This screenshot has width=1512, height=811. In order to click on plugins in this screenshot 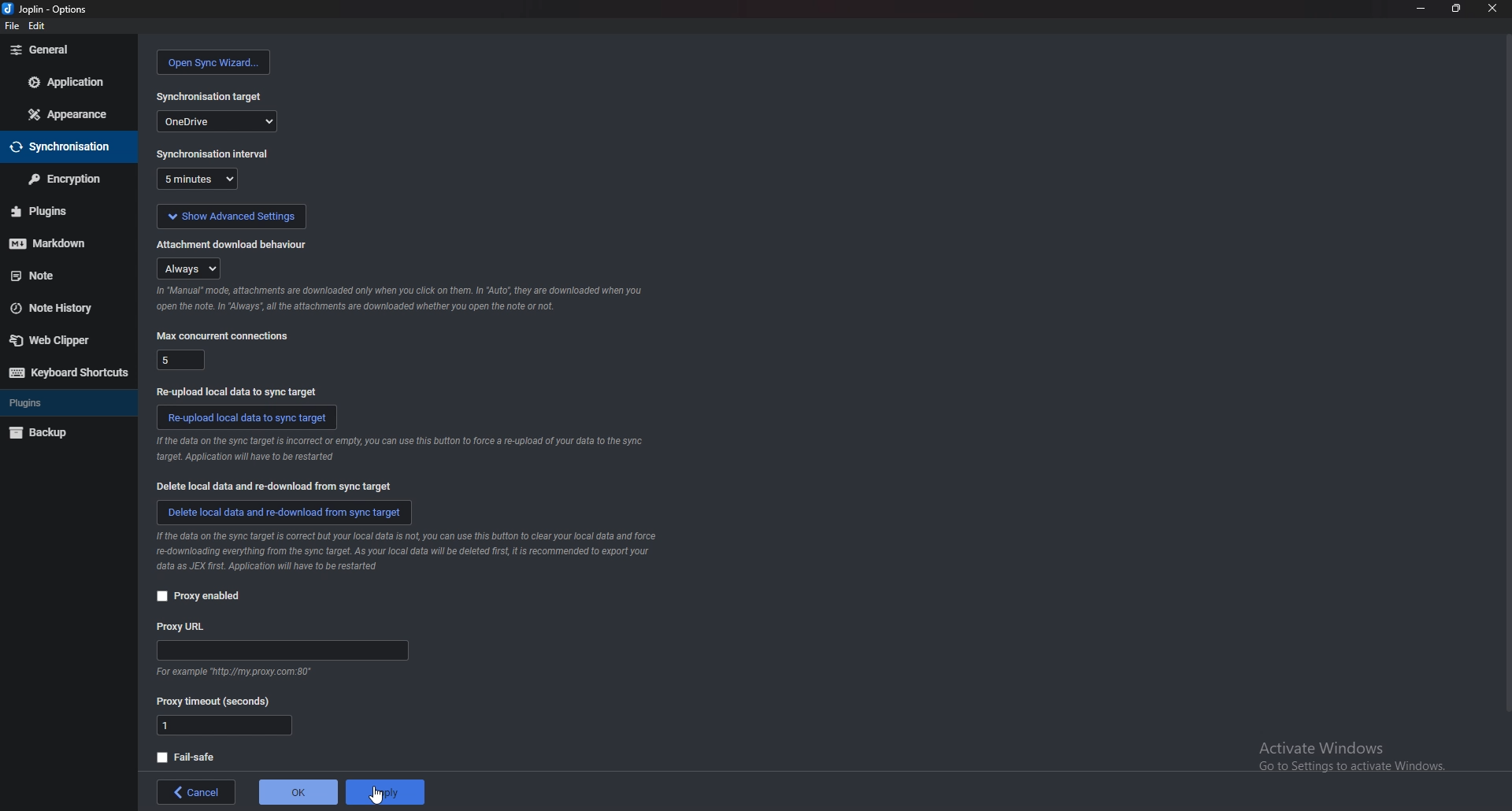, I will do `click(64, 211)`.